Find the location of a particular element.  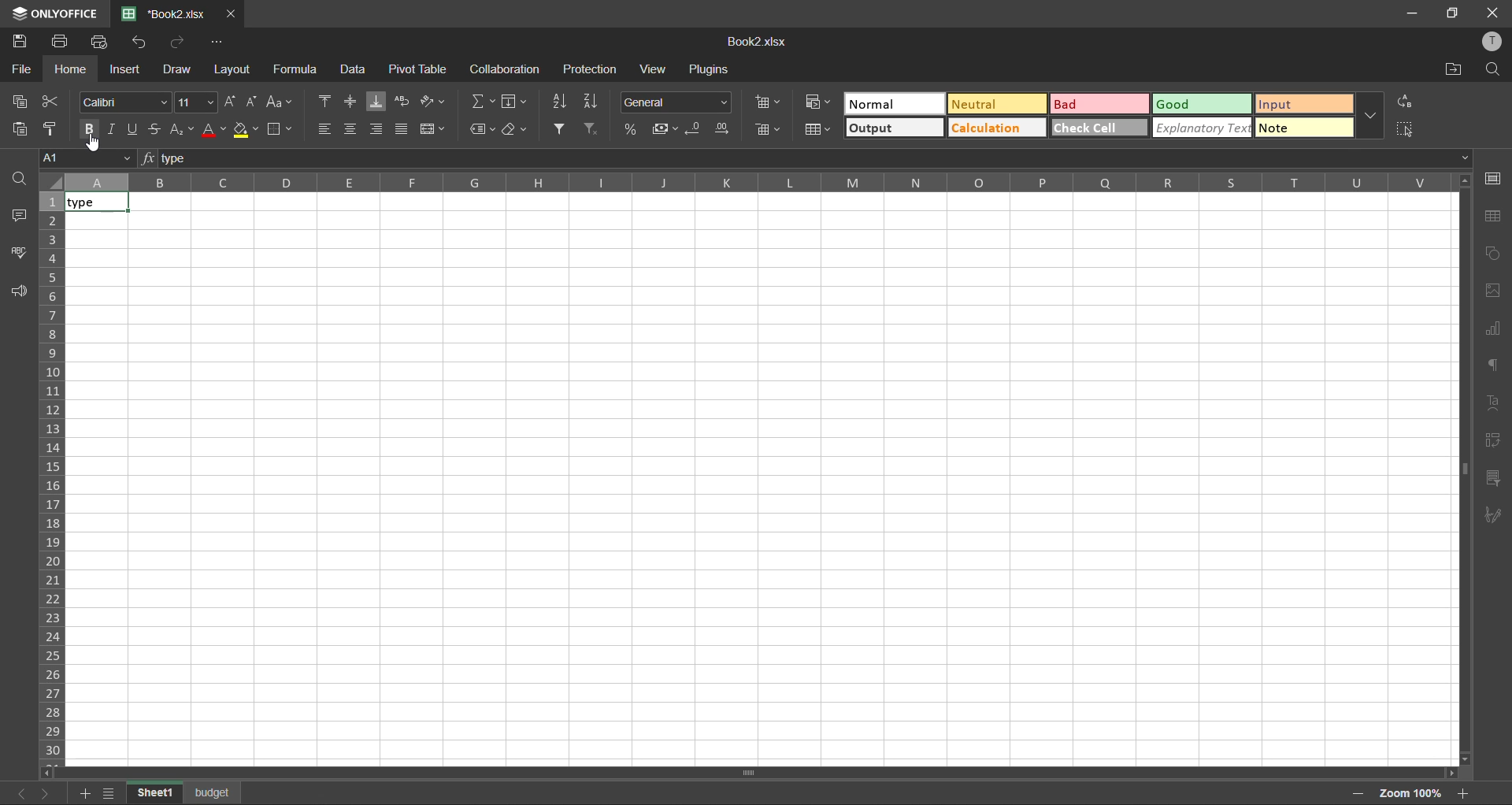

find is located at coordinates (1496, 70).